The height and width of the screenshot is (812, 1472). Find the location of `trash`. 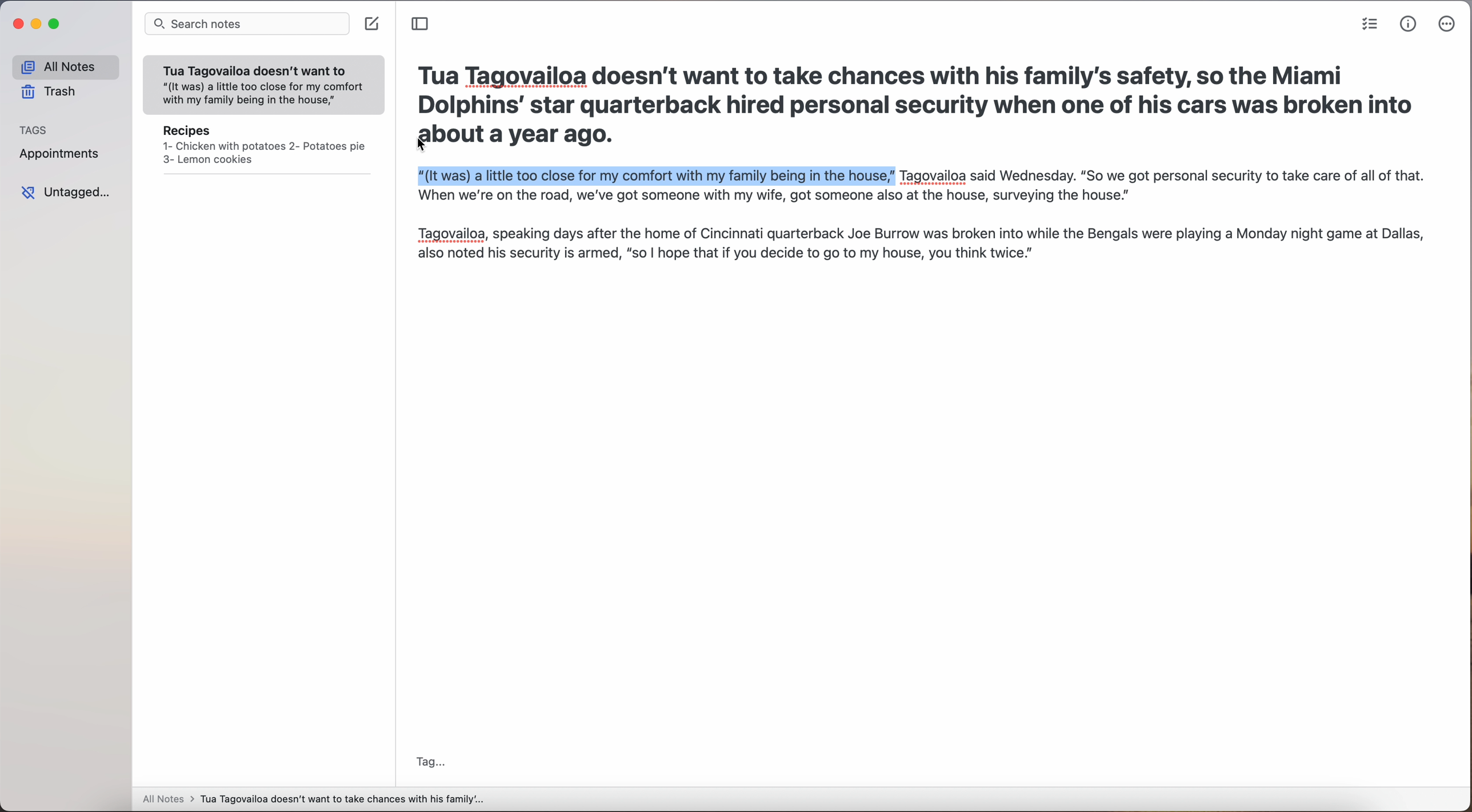

trash is located at coordinates (50, 91).